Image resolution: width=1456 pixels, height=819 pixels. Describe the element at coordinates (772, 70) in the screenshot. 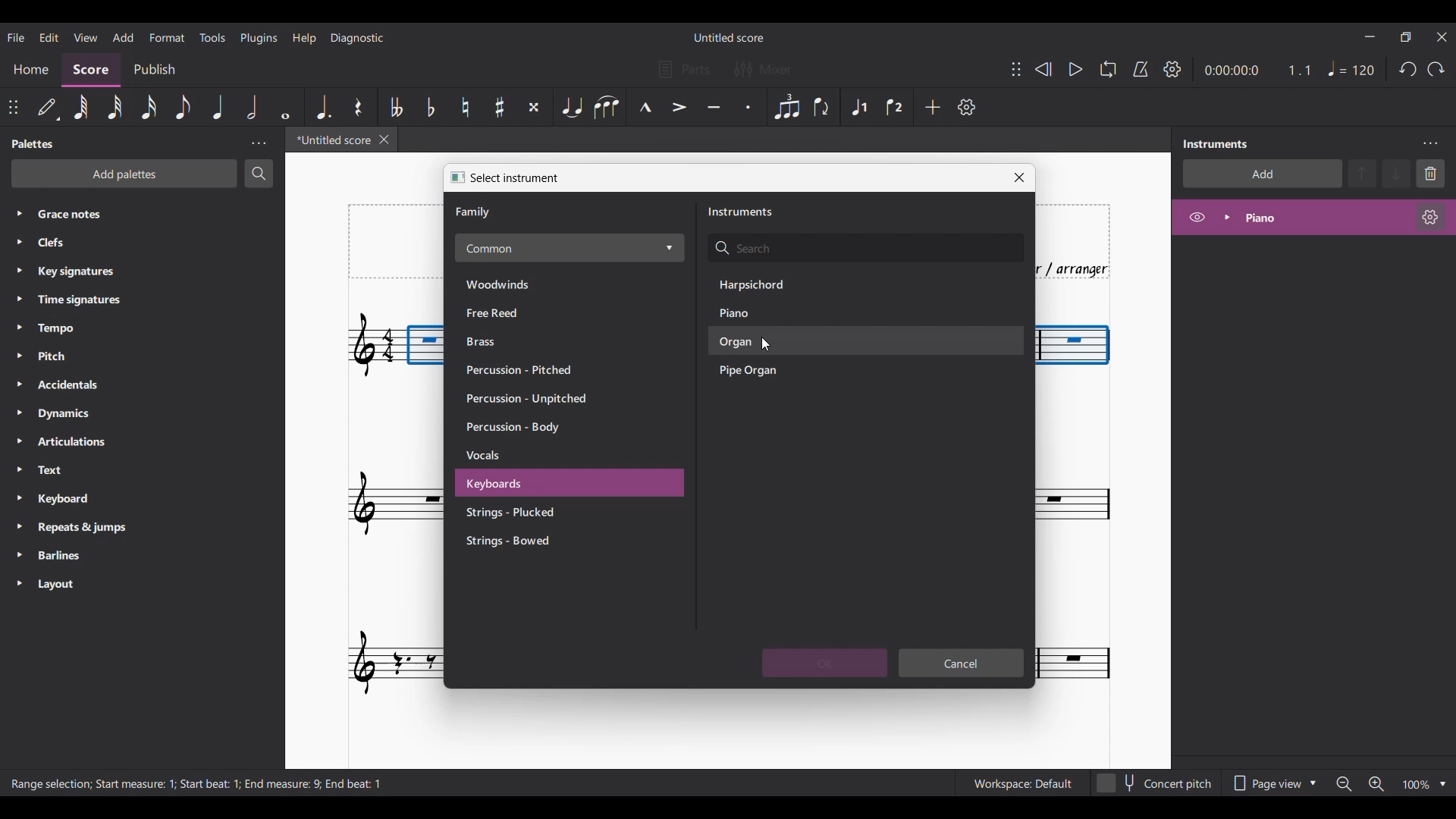

I see `mixer settings` at that location.